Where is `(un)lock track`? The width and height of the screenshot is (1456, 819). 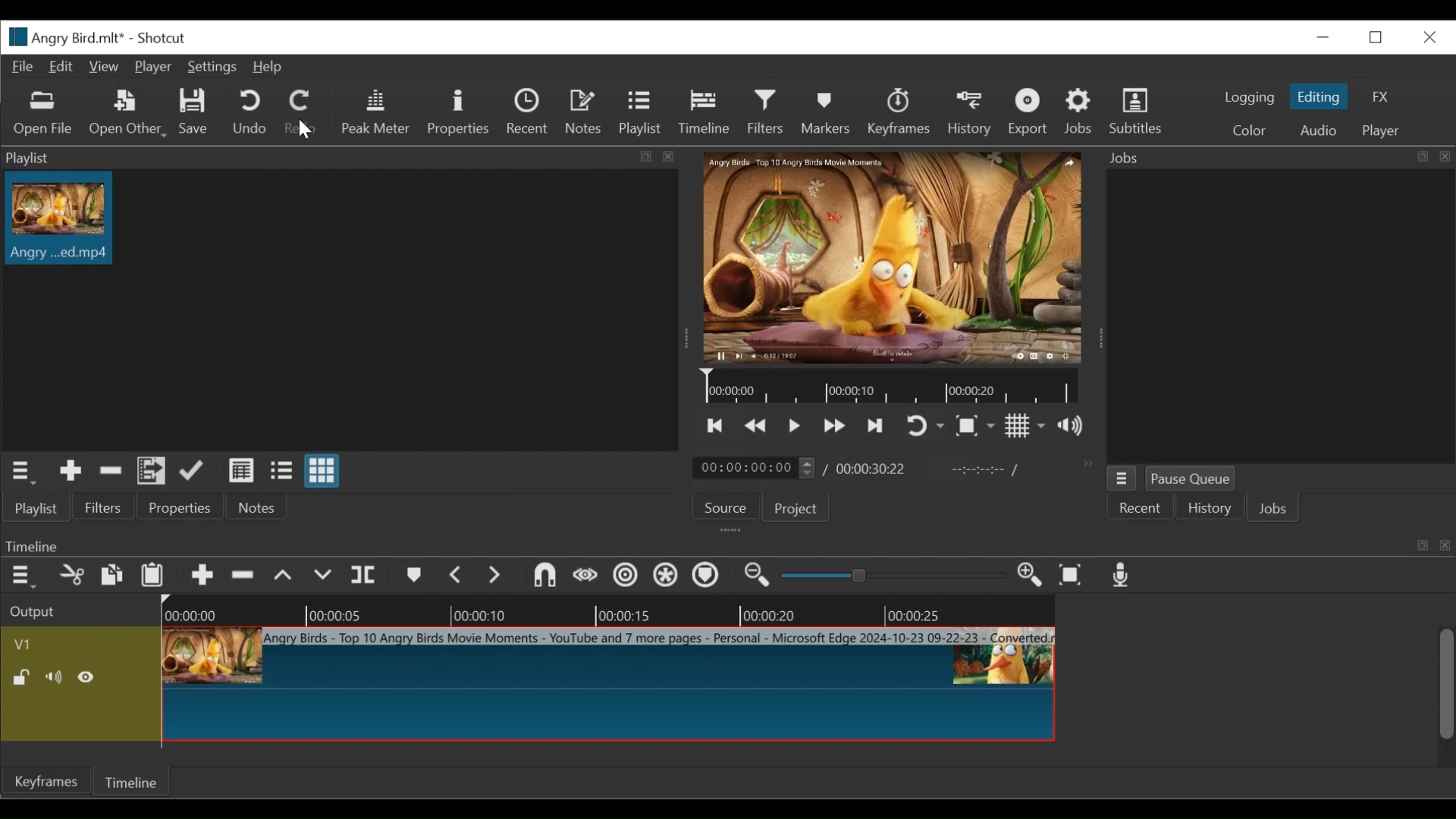
(un)lock track is located at coordinates (24, 678).